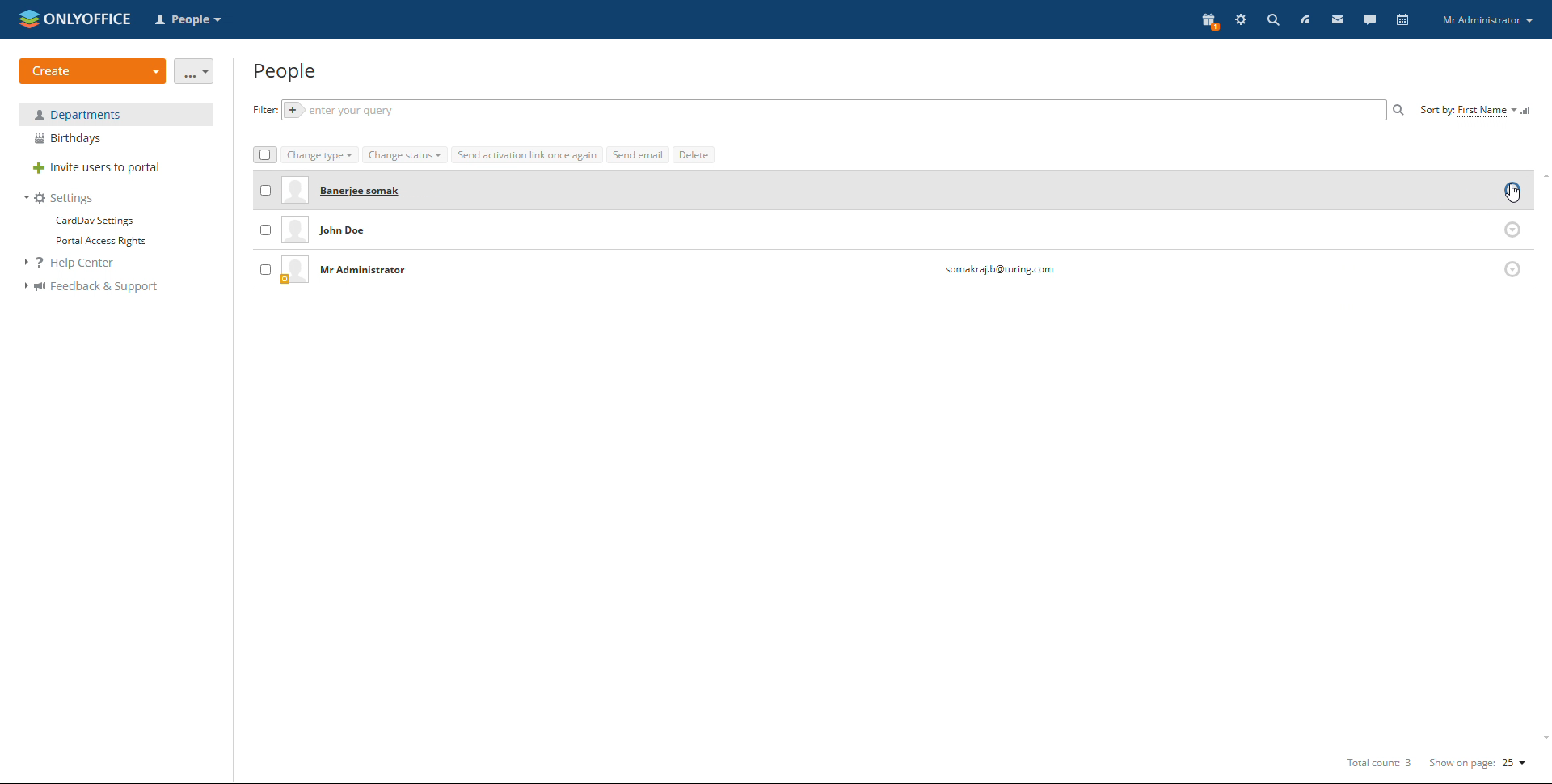 The width and height of the screenshot is (1552, 784). Describe the element at coordinates (266, 188) in the screenshot. I see `click to select individual entry` at that location.